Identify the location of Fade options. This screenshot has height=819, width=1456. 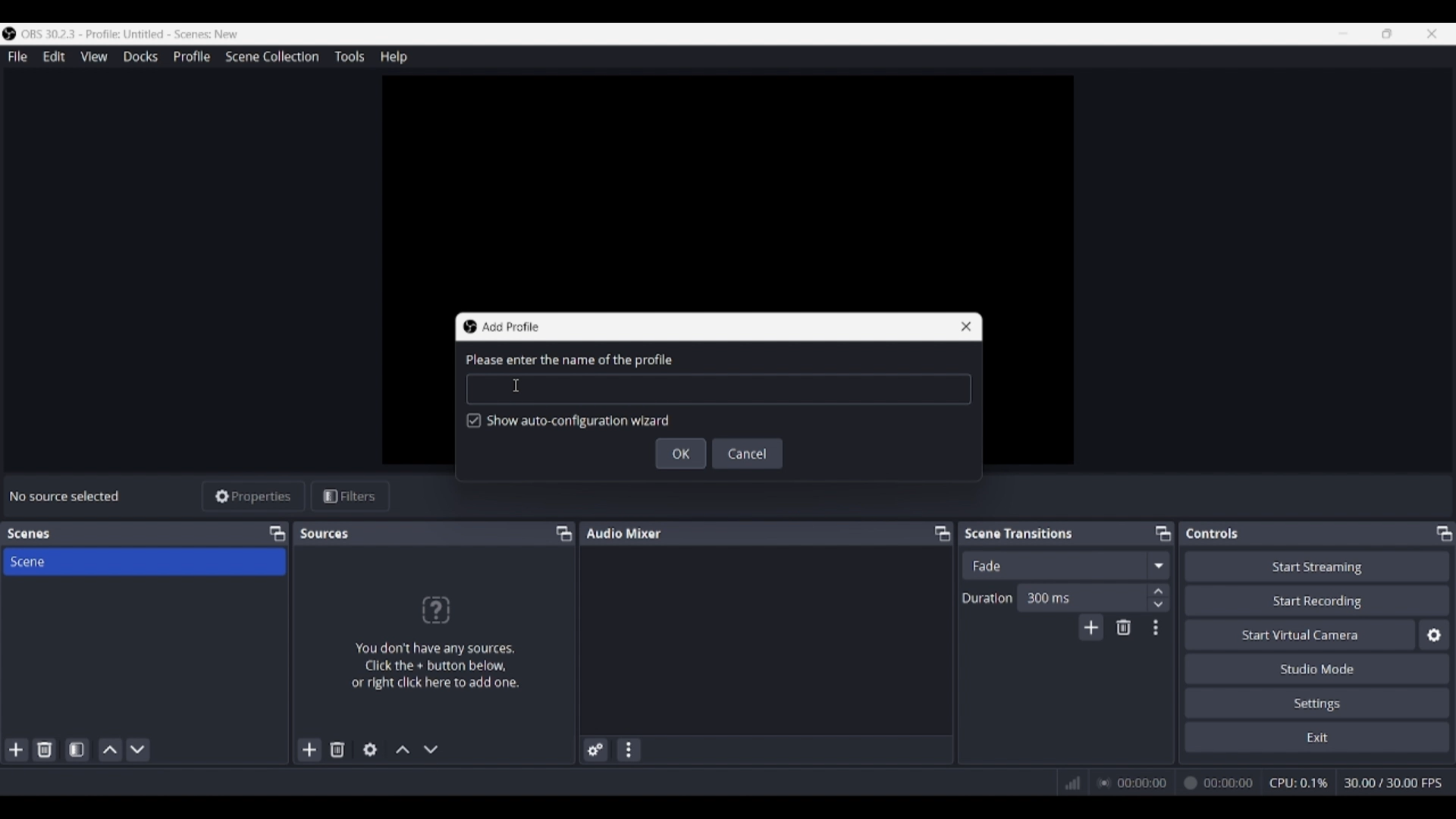
(1158, 565).